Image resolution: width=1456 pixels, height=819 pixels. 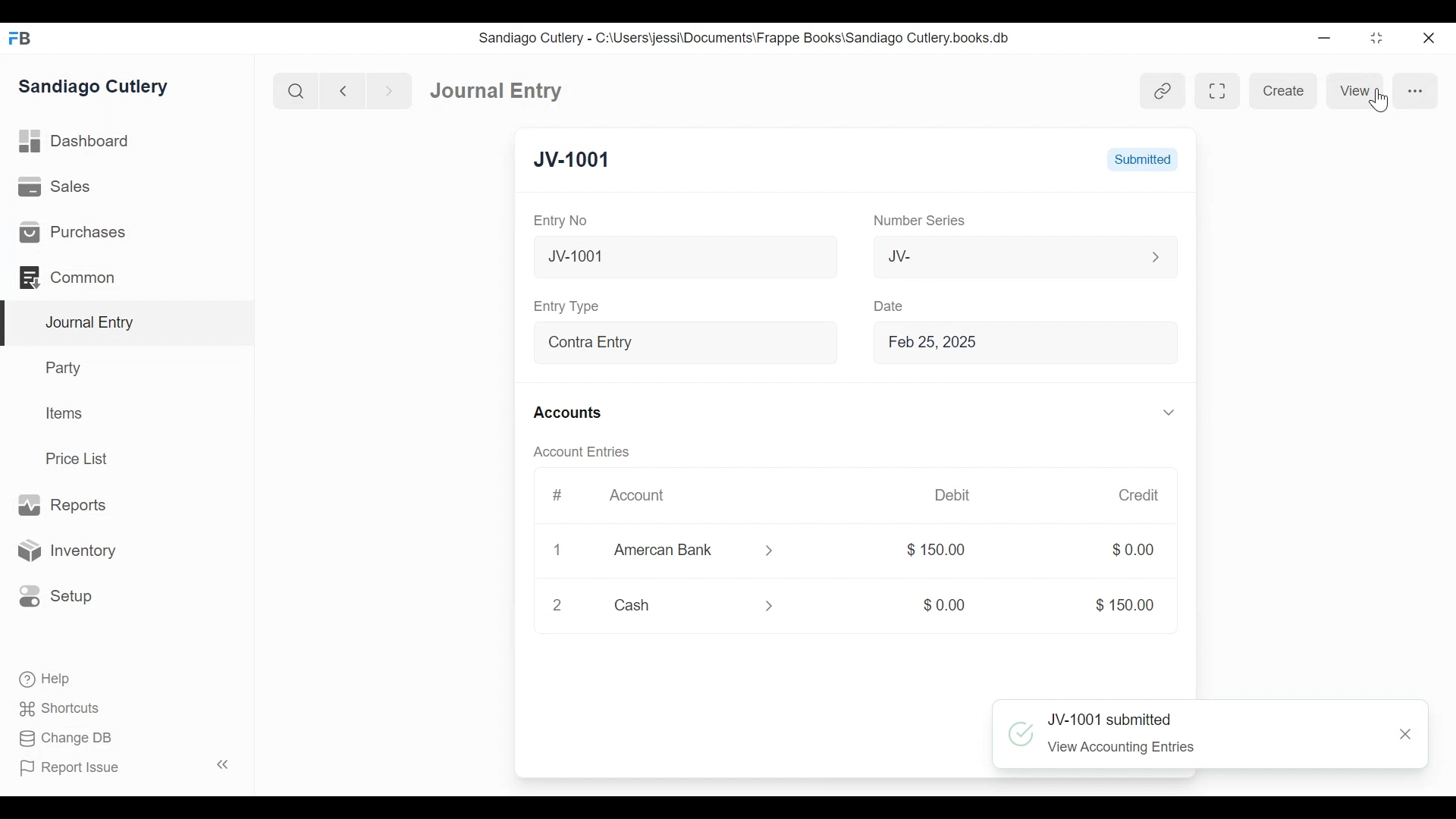 I want to click on Cursor, so click(x=1385, y=103).